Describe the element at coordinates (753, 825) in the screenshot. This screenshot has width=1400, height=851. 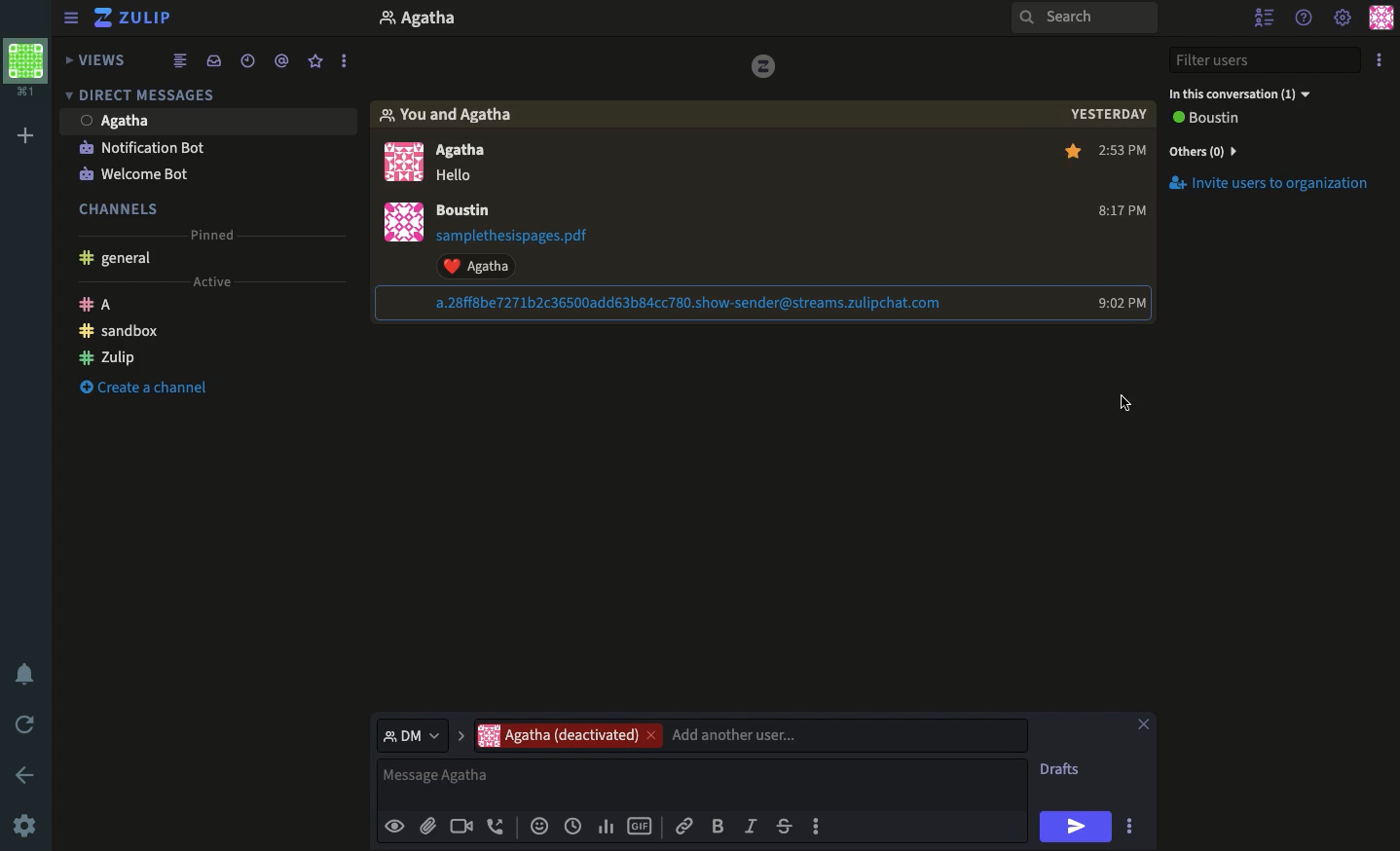
I see `Italics` at that location.